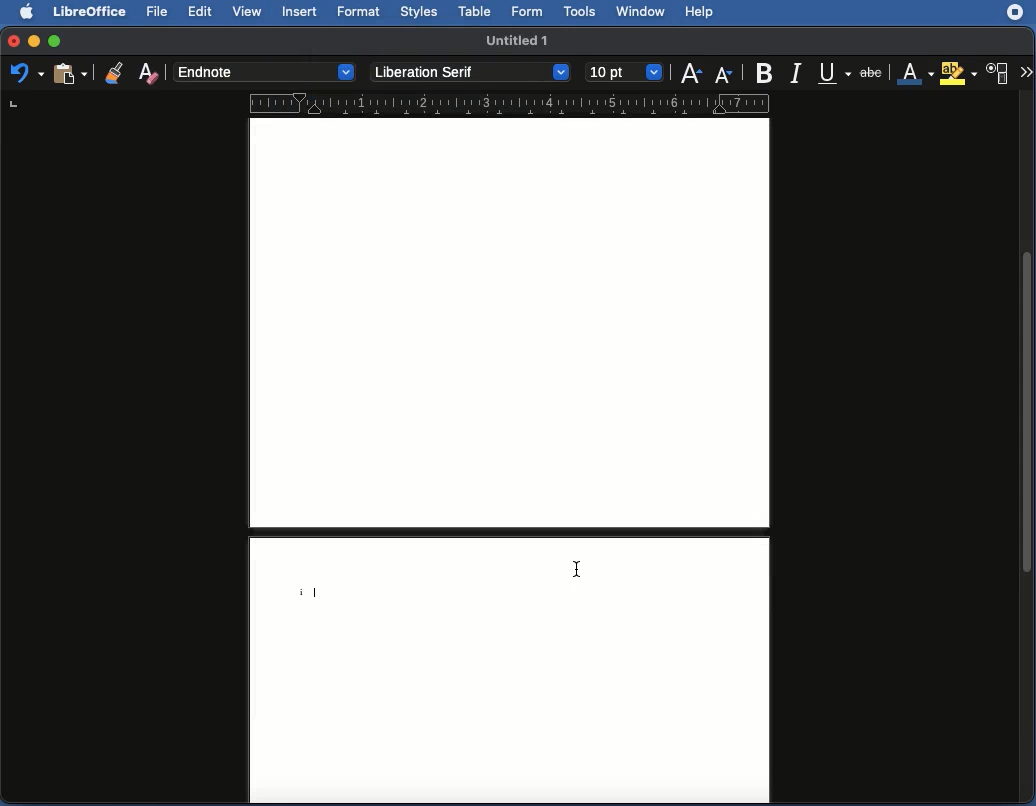  What do you see at coordinates (24, 12) in the screenshot?
I see `Apple Logo` at bounding box center [24, 12].